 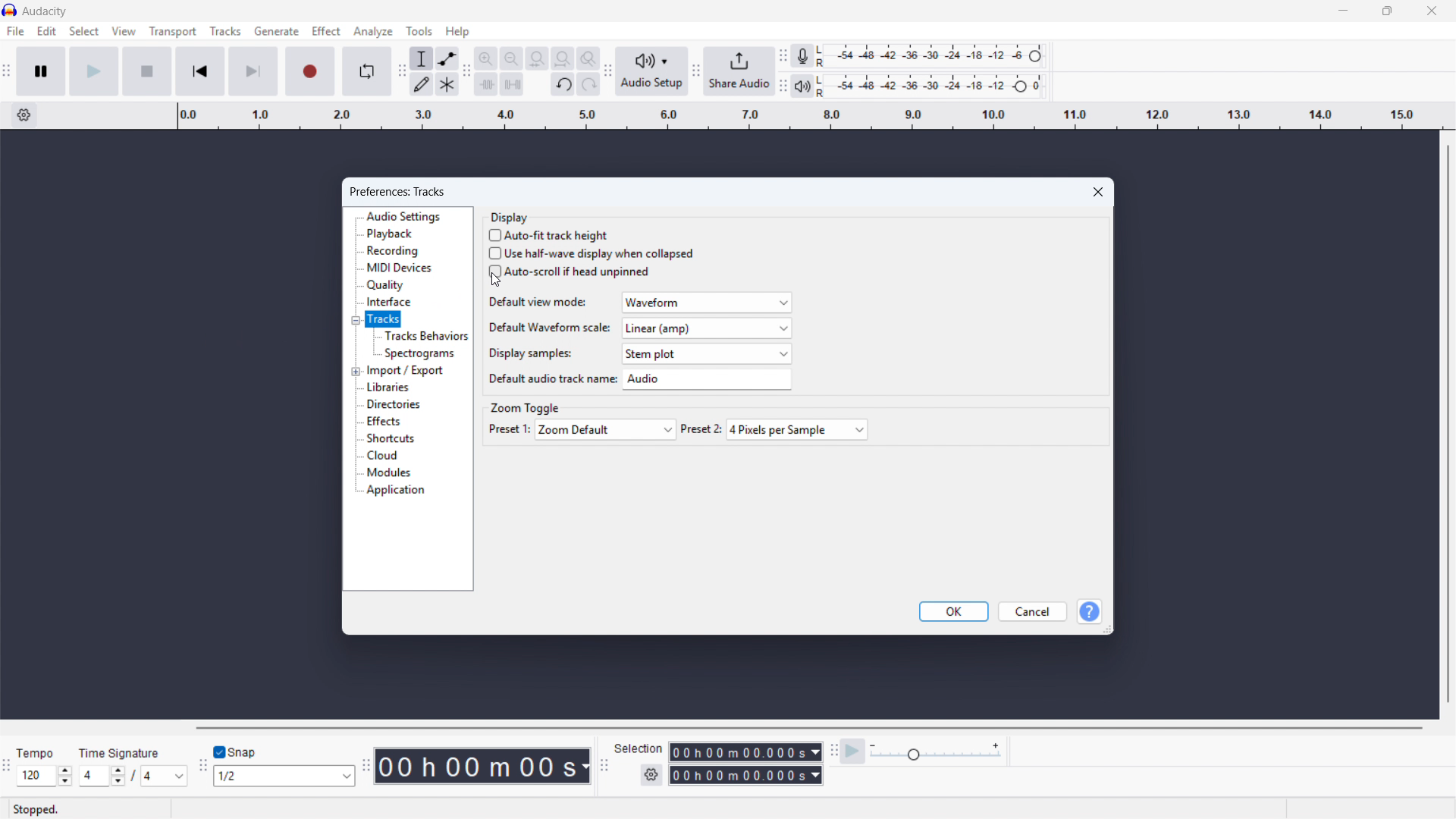 What do you see at coordinates (388, 302) in the screenshot?
I see `interface` at bounding box center [388, 302].